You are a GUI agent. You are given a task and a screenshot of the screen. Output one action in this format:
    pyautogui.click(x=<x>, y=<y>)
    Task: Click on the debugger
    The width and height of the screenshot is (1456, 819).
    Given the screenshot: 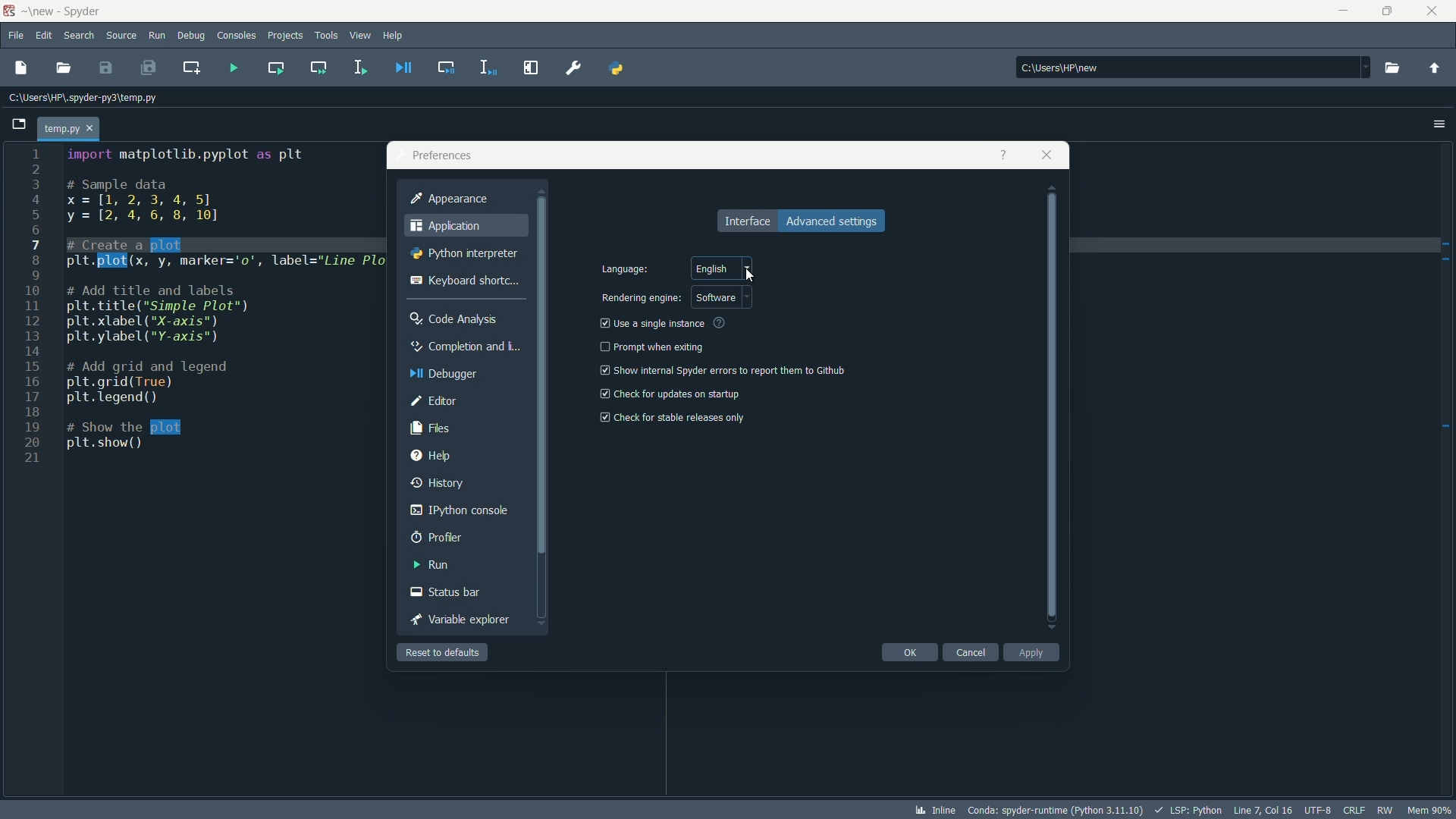 What is the action you would take?
    pyautogui.click(x=448, y=374)
    